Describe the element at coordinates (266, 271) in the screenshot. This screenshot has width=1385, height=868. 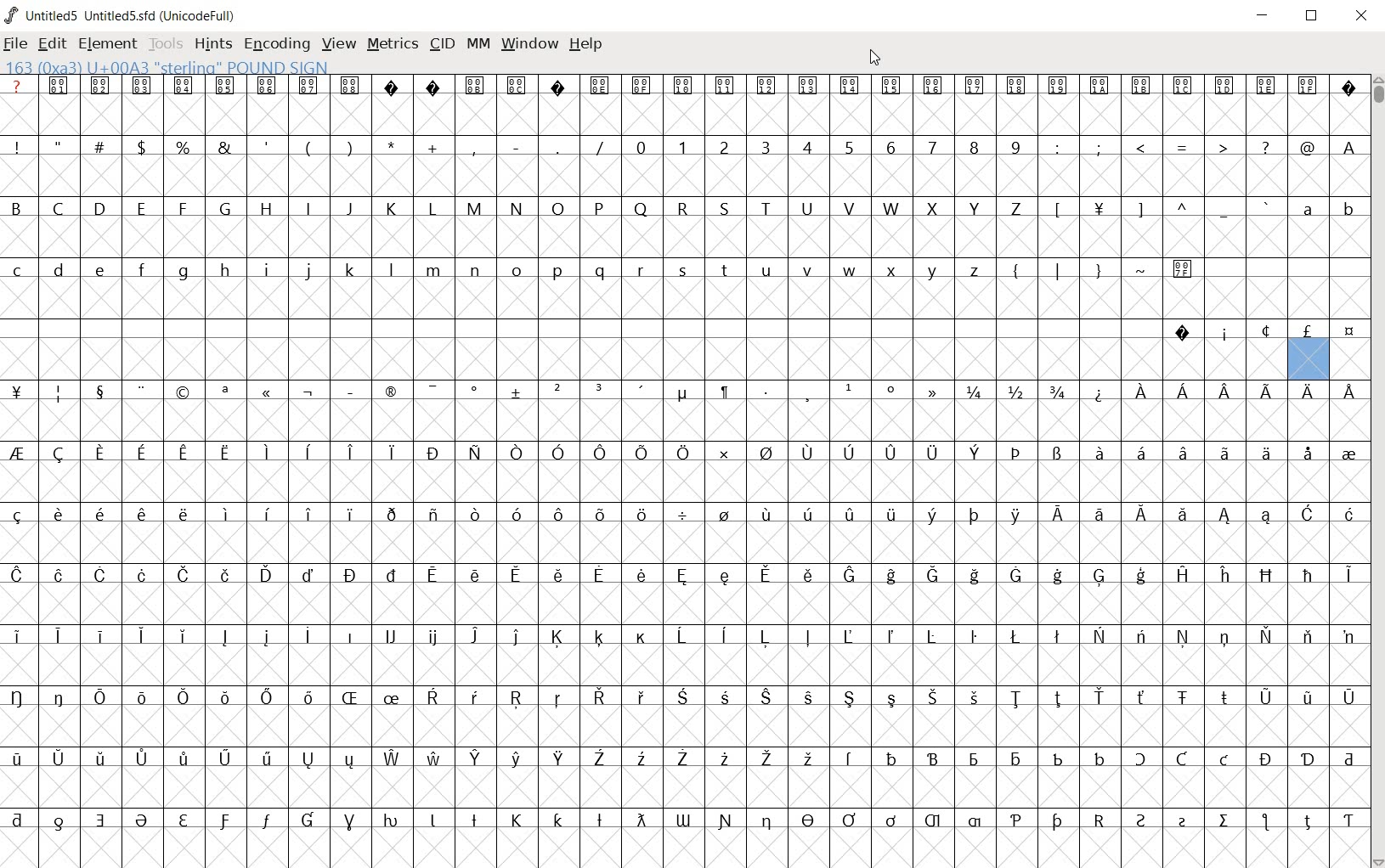
I see `i` at that location.